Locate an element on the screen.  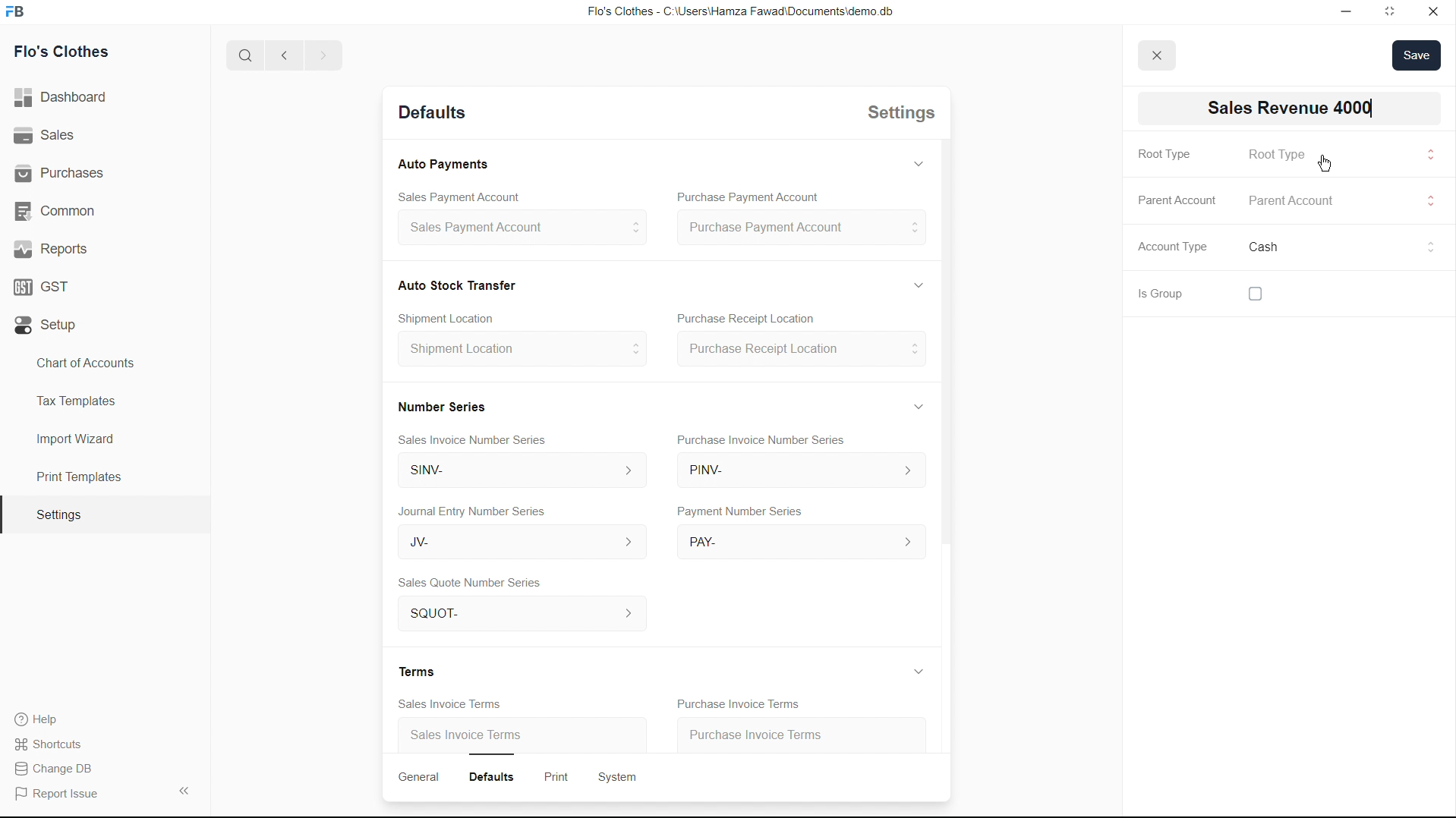
PAY- is located at coordinates (801, 540).